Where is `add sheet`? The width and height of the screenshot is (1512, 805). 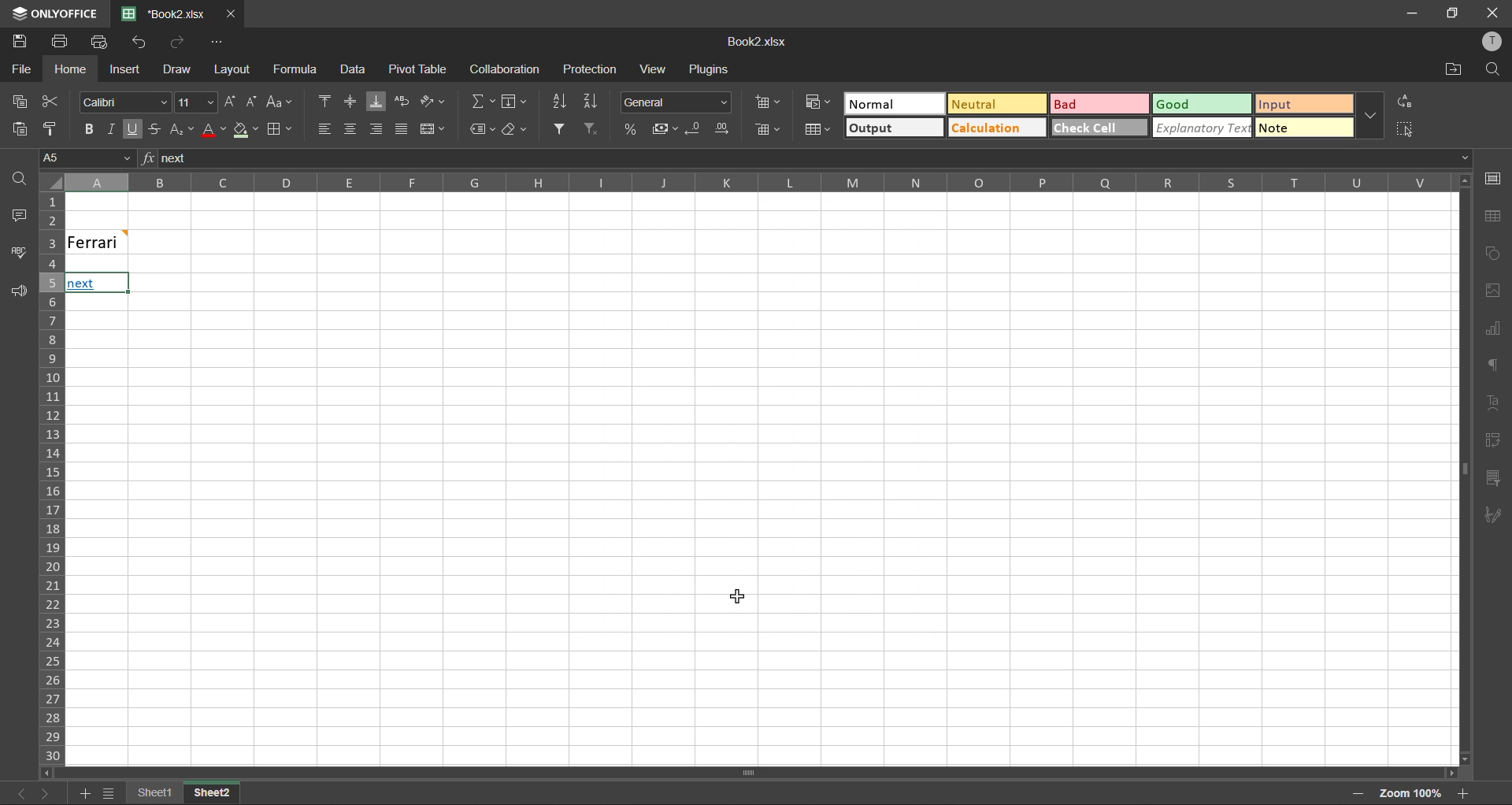 add sheet is located at coordinates (84, 793).